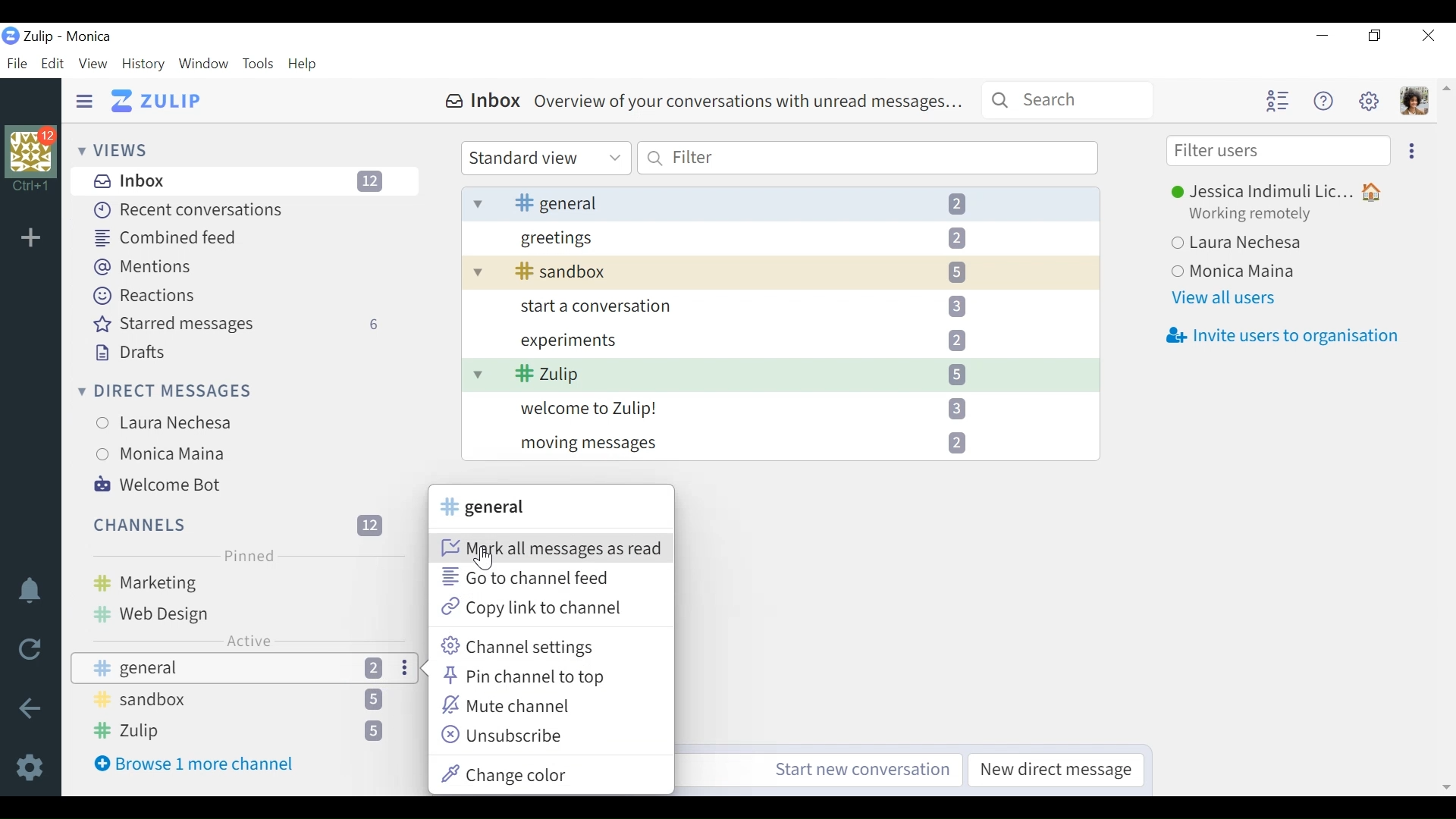 This screenshot has height=819, width=1456. I want to click on Inbox Overview of your conversations with unread messages..., so click(704, 102).